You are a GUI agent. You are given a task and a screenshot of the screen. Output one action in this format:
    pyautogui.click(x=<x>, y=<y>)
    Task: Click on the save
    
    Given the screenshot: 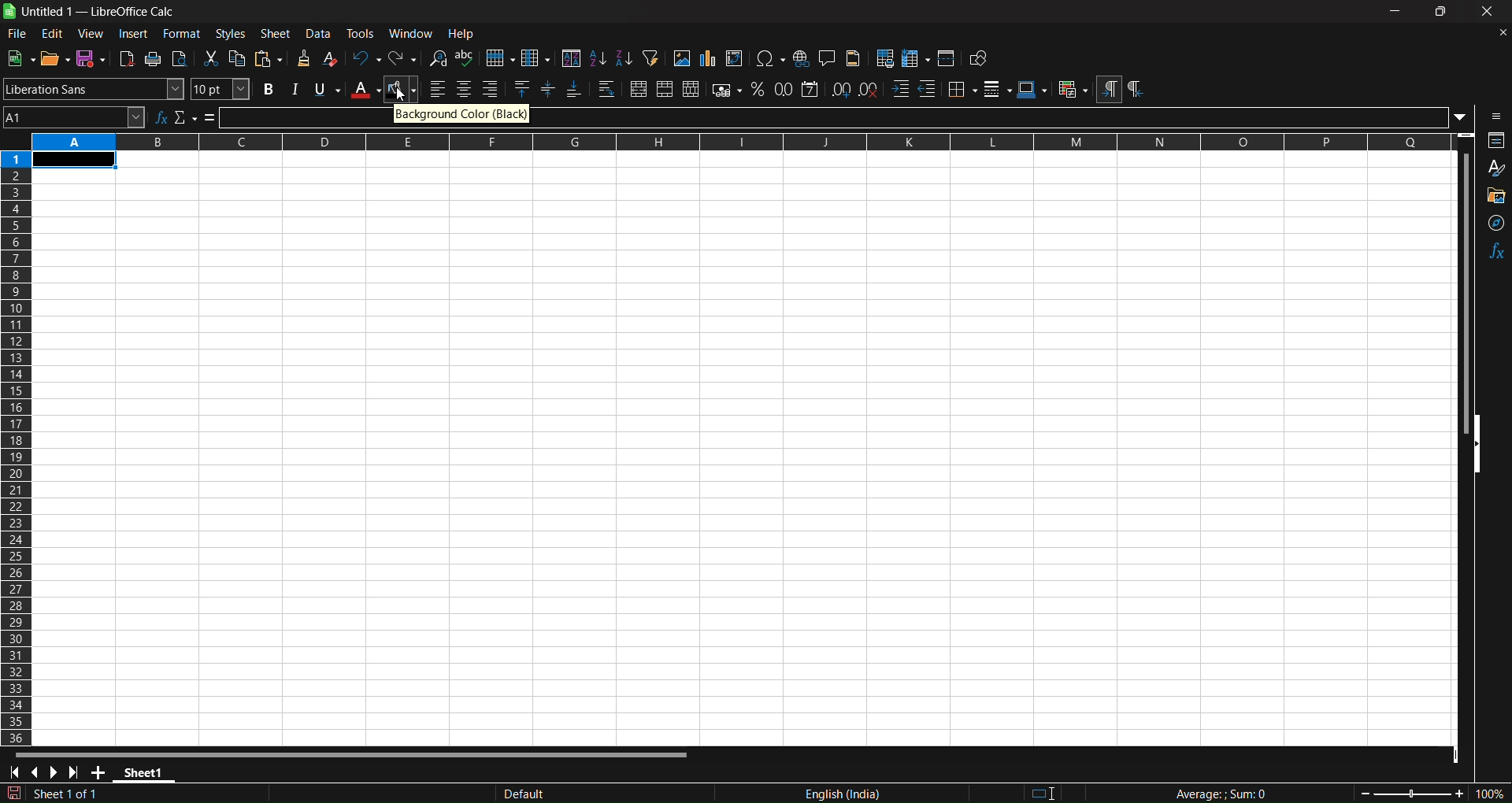 What is the action you would take?
    pyautogui.click(x=91, y=57)
    